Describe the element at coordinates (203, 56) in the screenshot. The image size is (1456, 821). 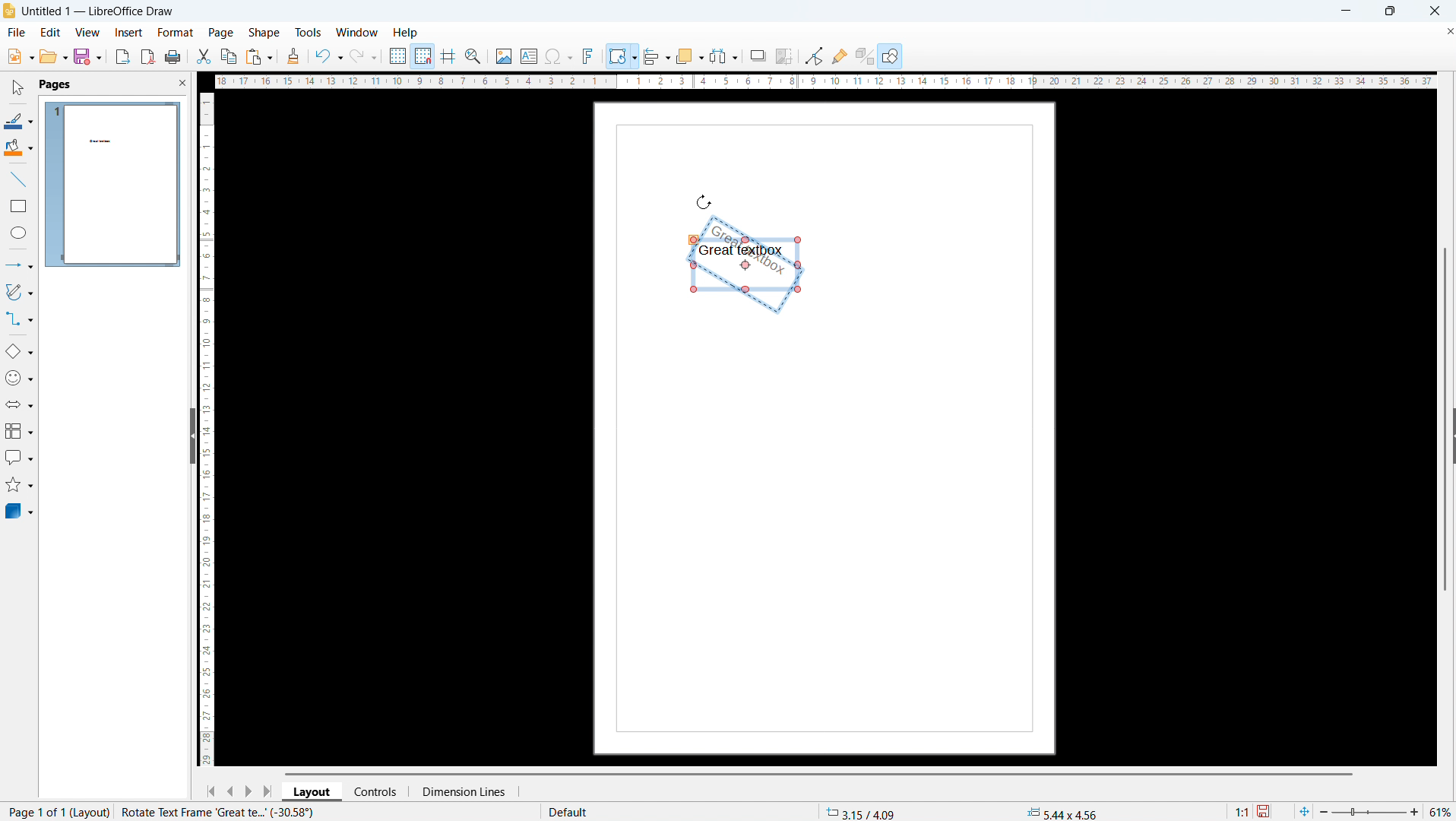
I see `cut` at that location.